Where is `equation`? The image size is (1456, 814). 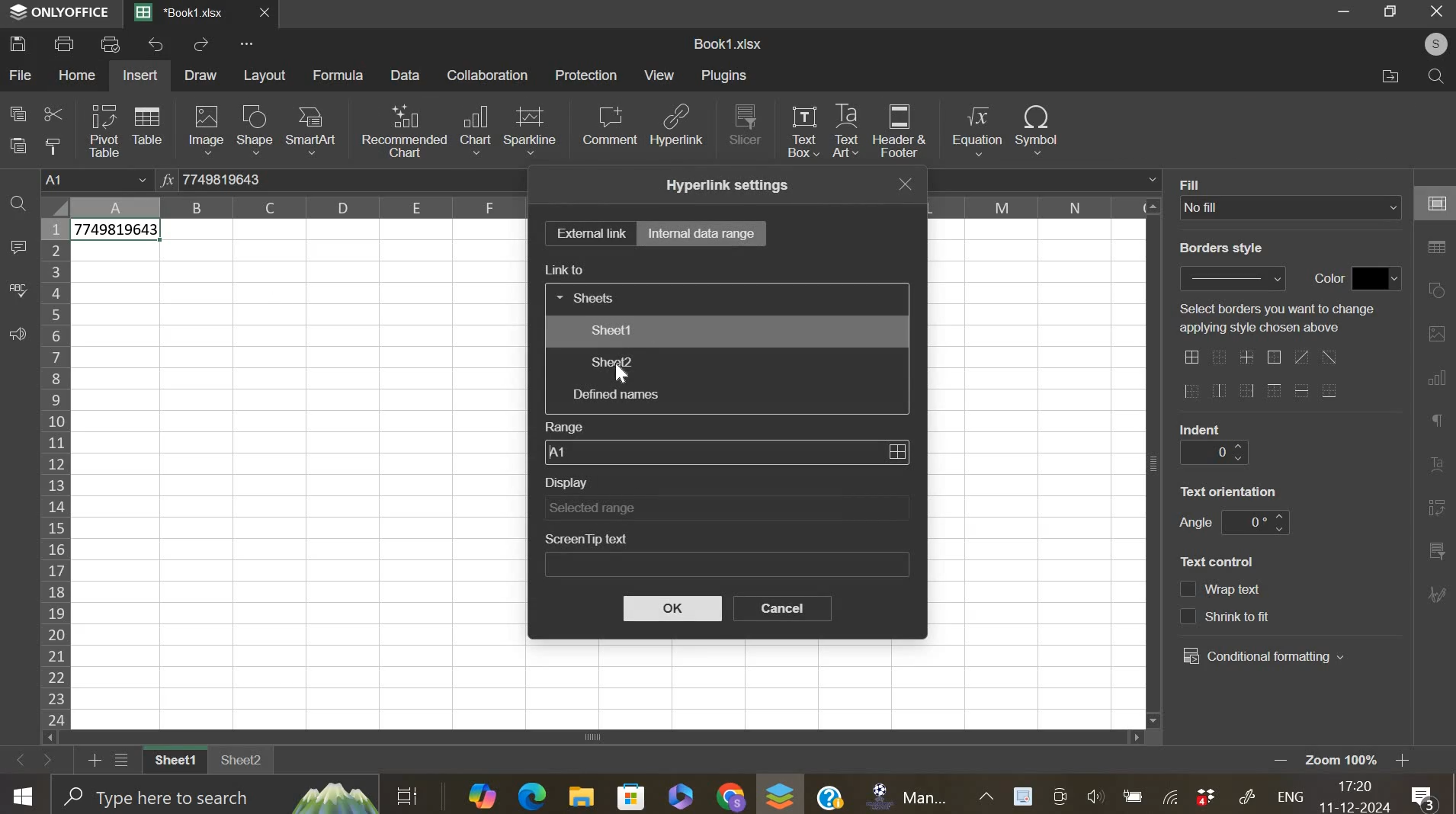 equation is located at coordinates (976, 131).